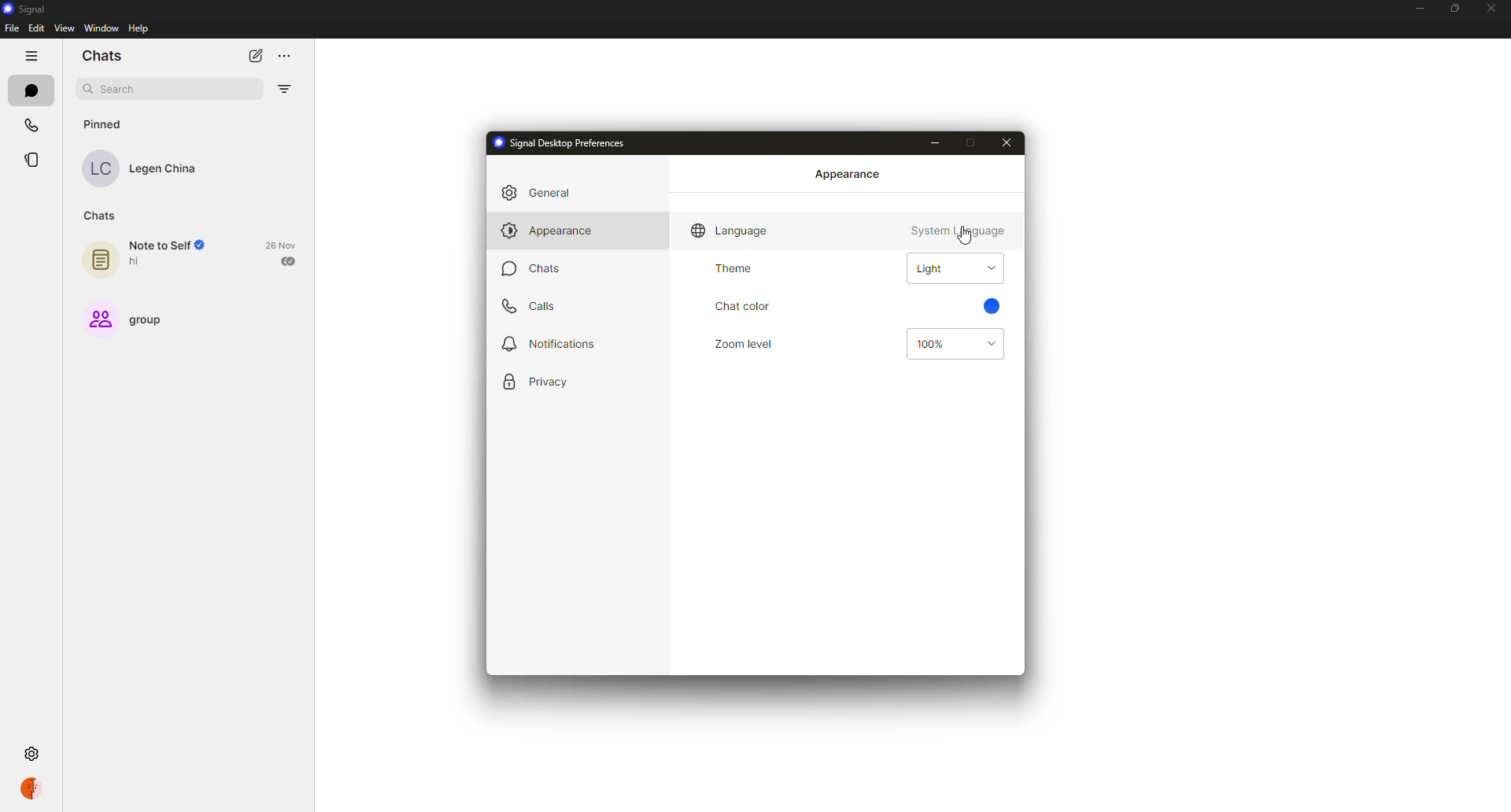  I want to click on chats, so click(105, 56).